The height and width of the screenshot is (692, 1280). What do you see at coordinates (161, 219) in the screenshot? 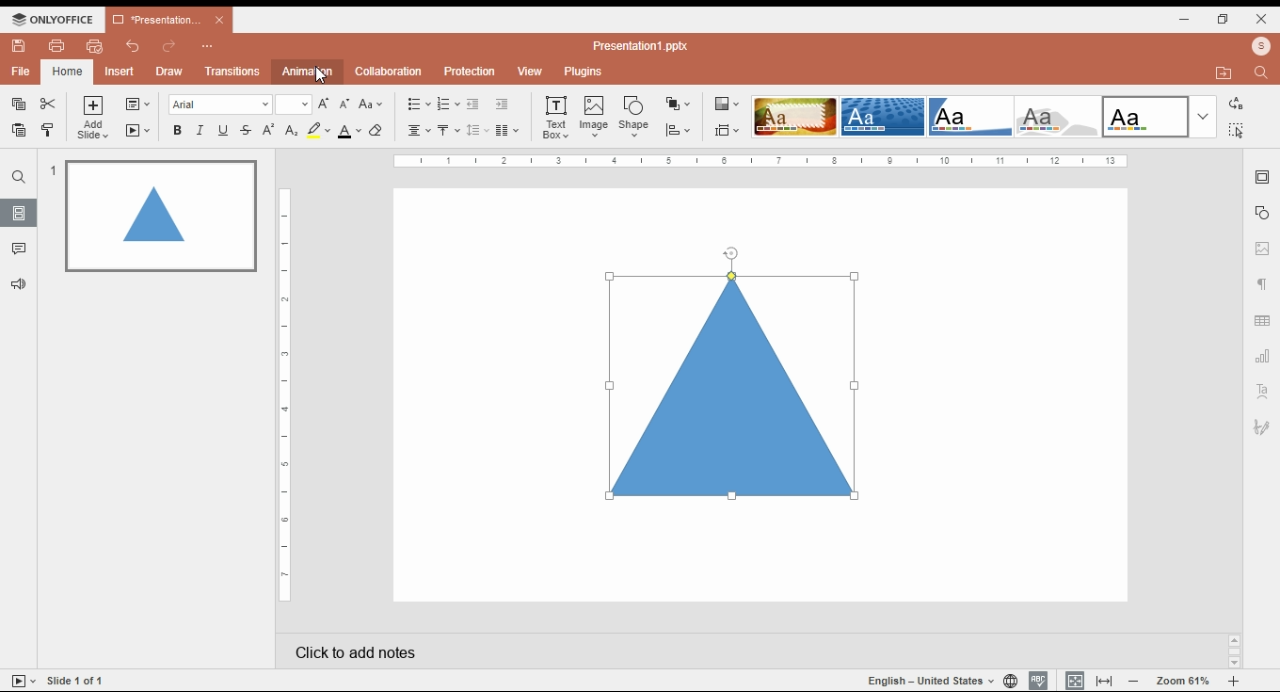
I see `slide 1` at bounding box center [161, 219].